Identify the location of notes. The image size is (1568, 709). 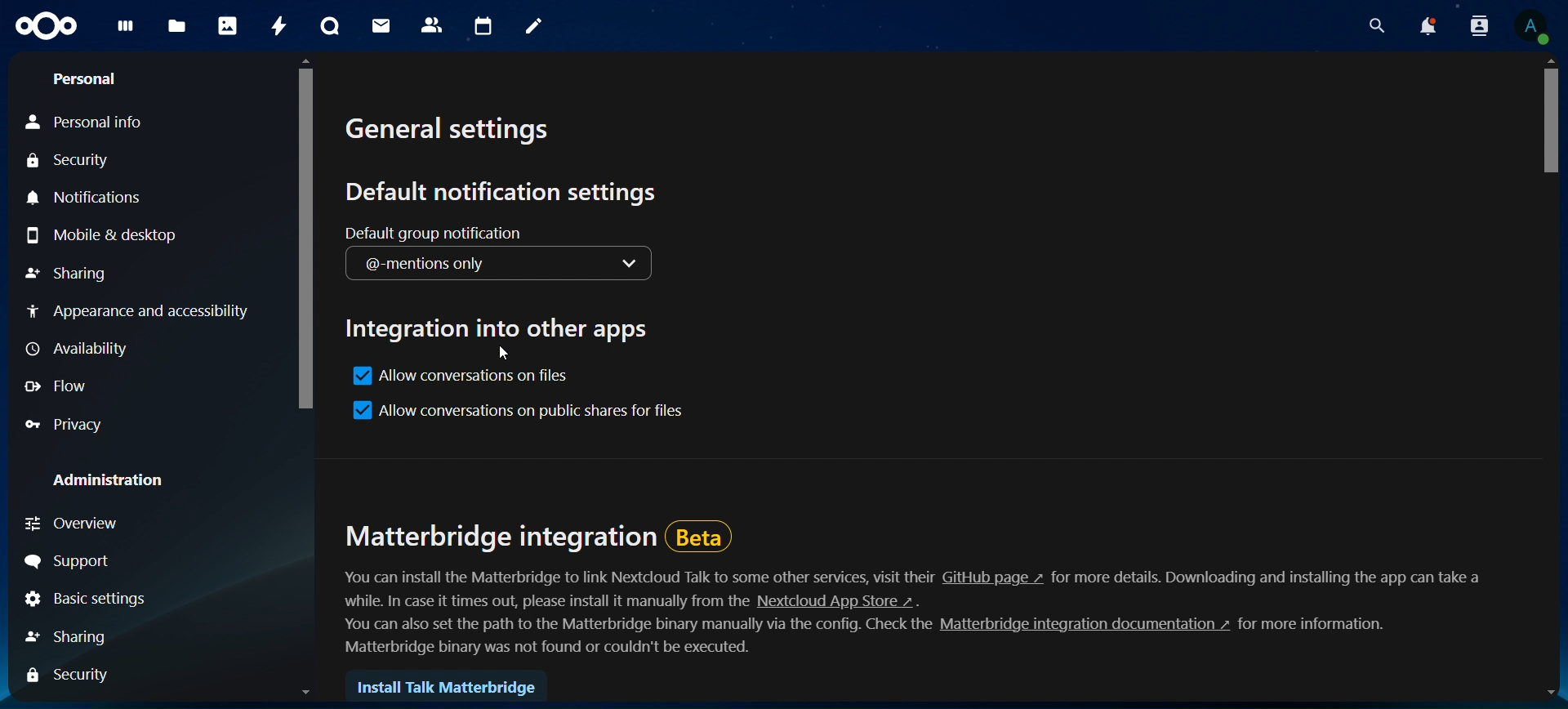
(535, 29).